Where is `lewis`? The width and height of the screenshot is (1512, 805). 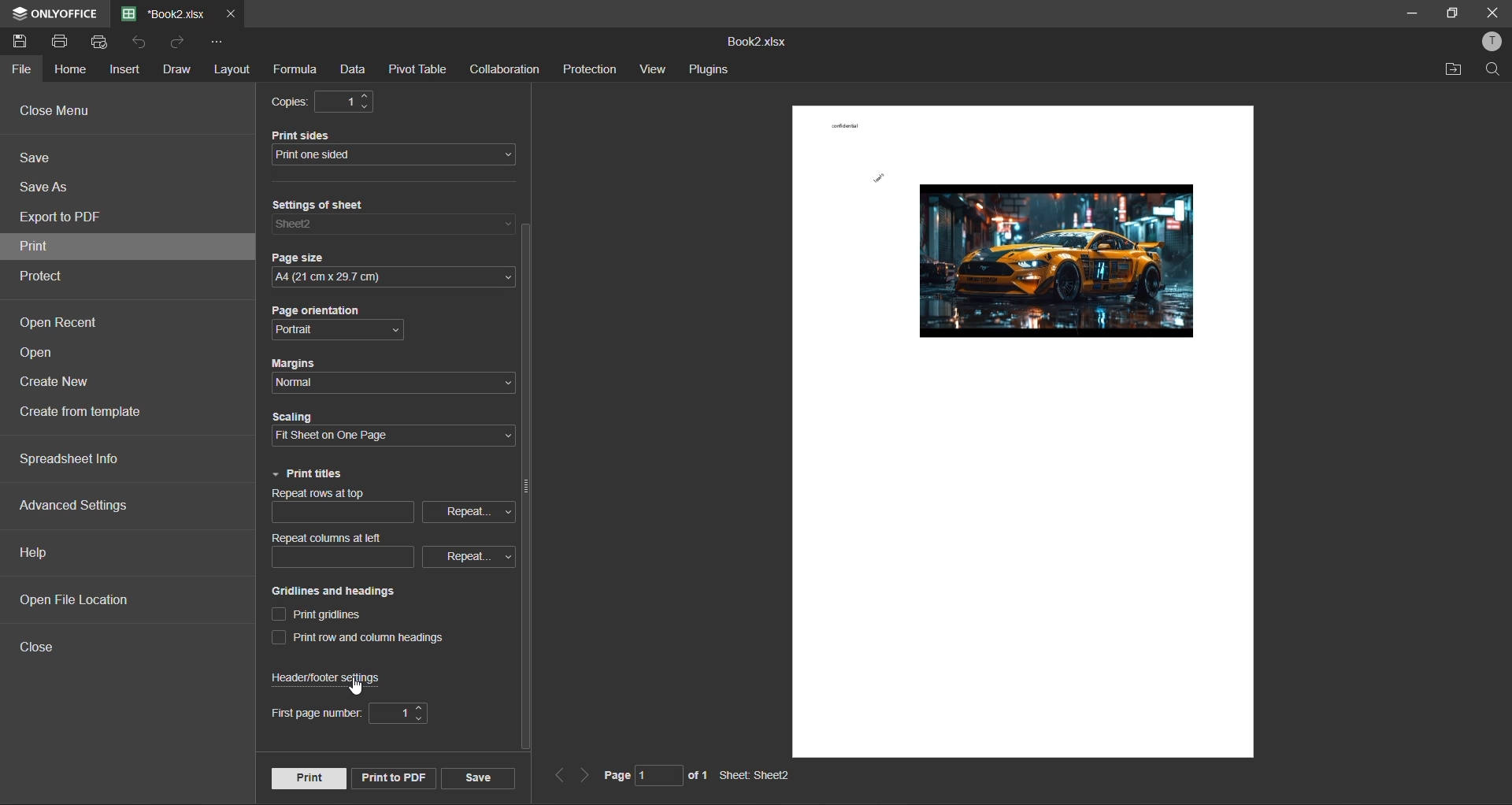 lewis is located at coordinates (879, 179).